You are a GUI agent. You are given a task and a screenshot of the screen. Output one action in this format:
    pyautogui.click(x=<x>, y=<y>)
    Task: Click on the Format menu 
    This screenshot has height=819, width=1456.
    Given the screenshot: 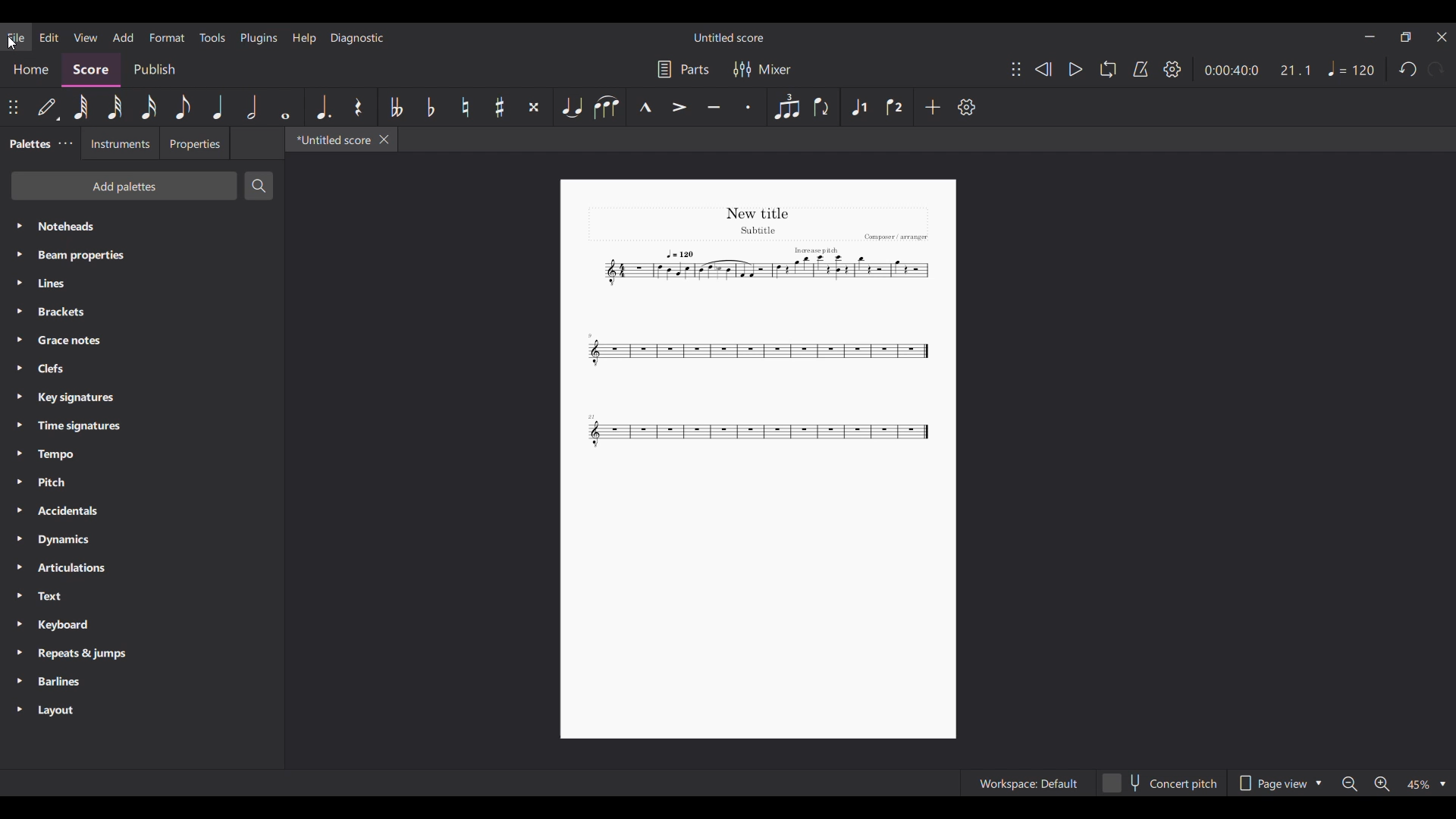 What is the action you would take?
    pyautogui.click(x=168, y=38)
    